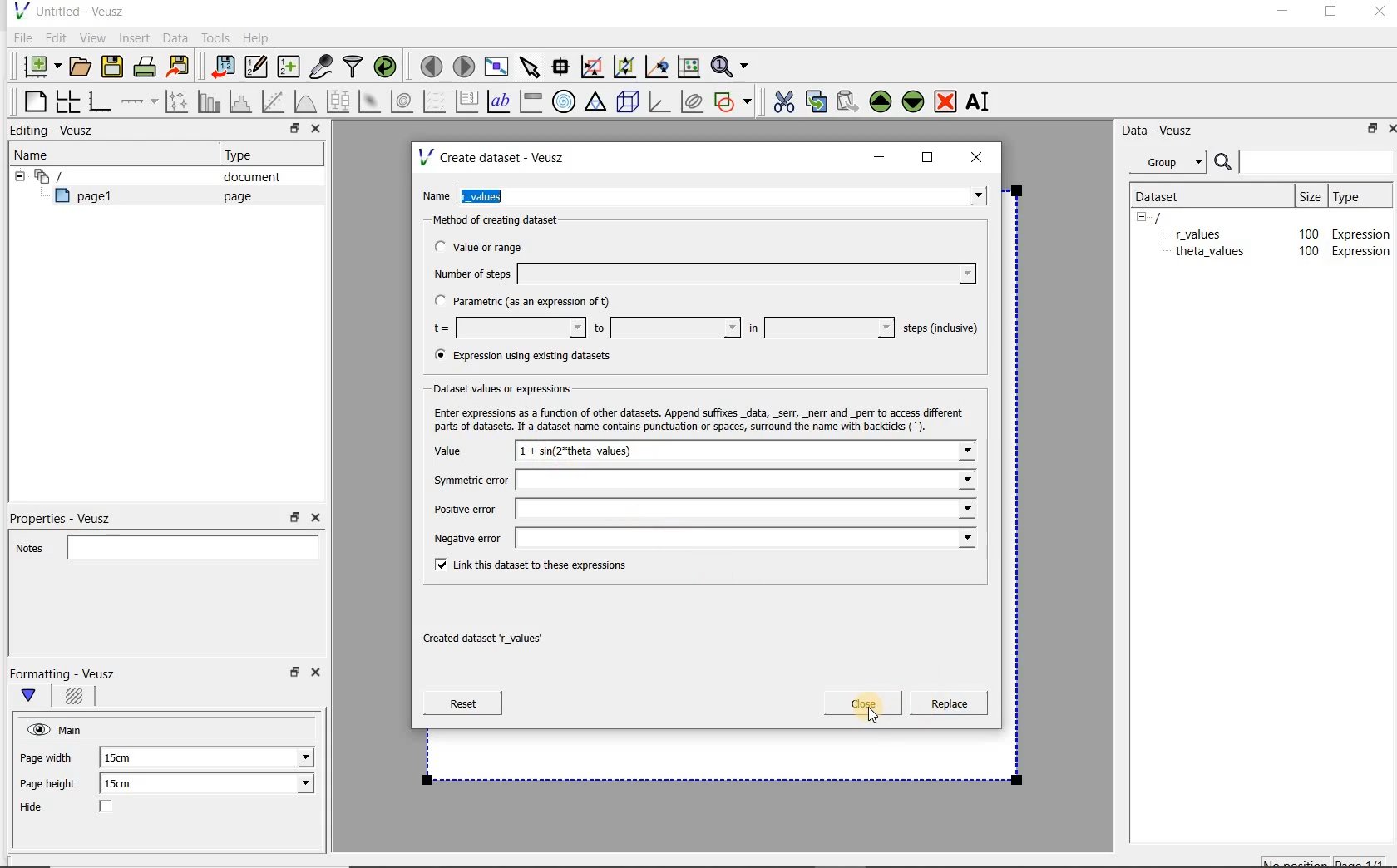 The image size is (1397, 868). What do you see at coordinates (47, 755) in the screenshot?
I see `Page width` at bounding box center [47, 755].